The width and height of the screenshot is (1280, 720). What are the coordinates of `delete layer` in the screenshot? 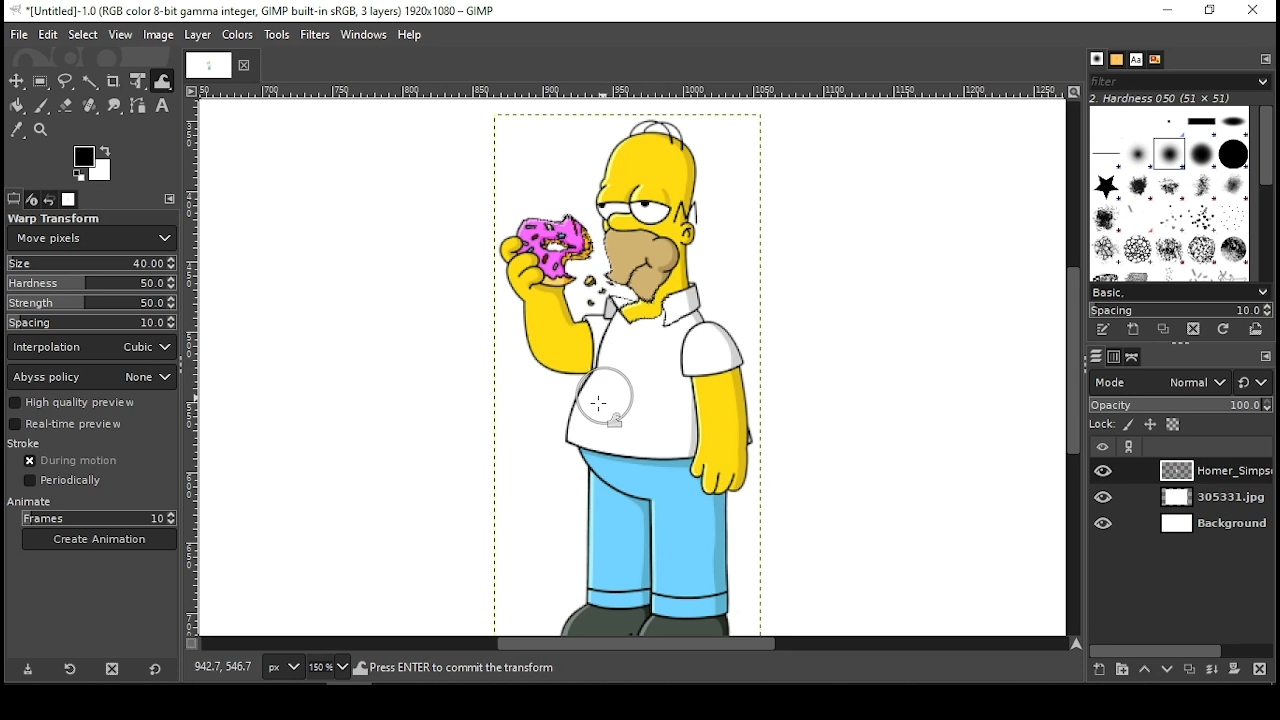 It's located at (1261, 671).